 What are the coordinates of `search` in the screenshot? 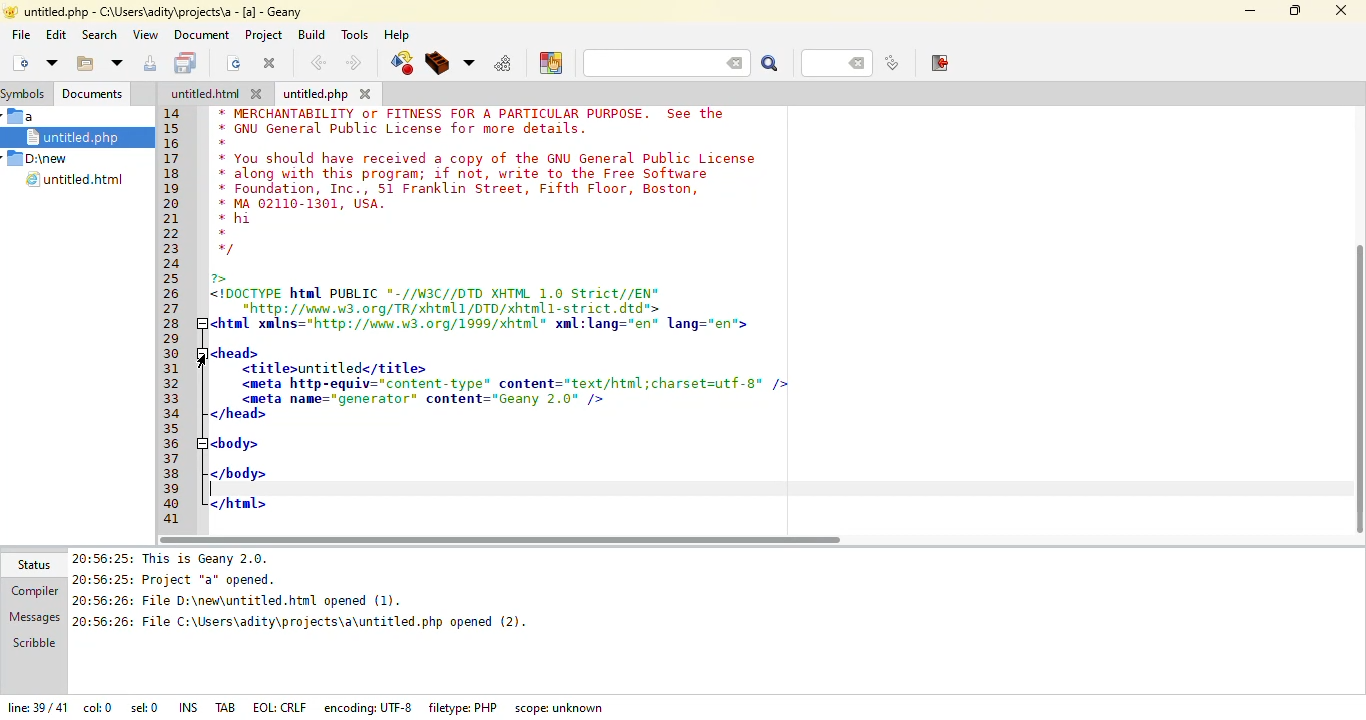 It's located at (770, 63).